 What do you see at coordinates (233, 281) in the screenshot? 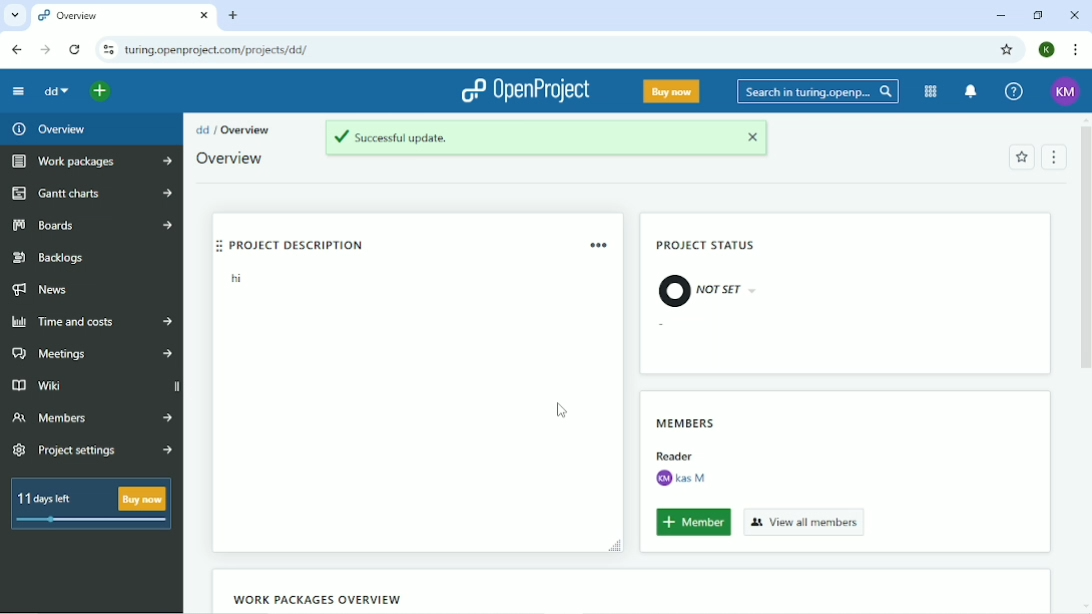
I see `hi` at bounding box center [233, 281].